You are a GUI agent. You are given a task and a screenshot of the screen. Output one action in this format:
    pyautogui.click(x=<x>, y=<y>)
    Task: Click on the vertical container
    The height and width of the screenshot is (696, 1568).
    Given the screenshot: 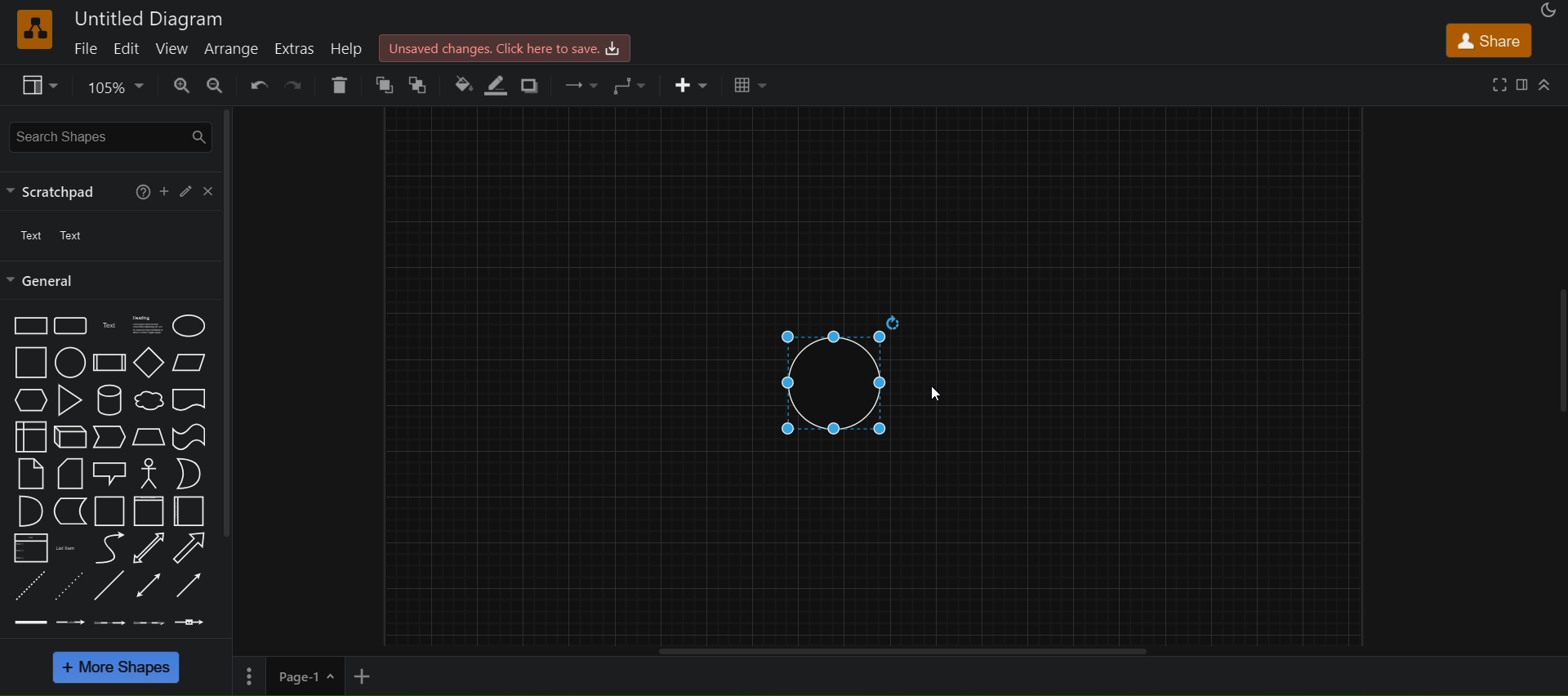 What is the action you would take?
    pyautogui.click(x=148, y=511)
    